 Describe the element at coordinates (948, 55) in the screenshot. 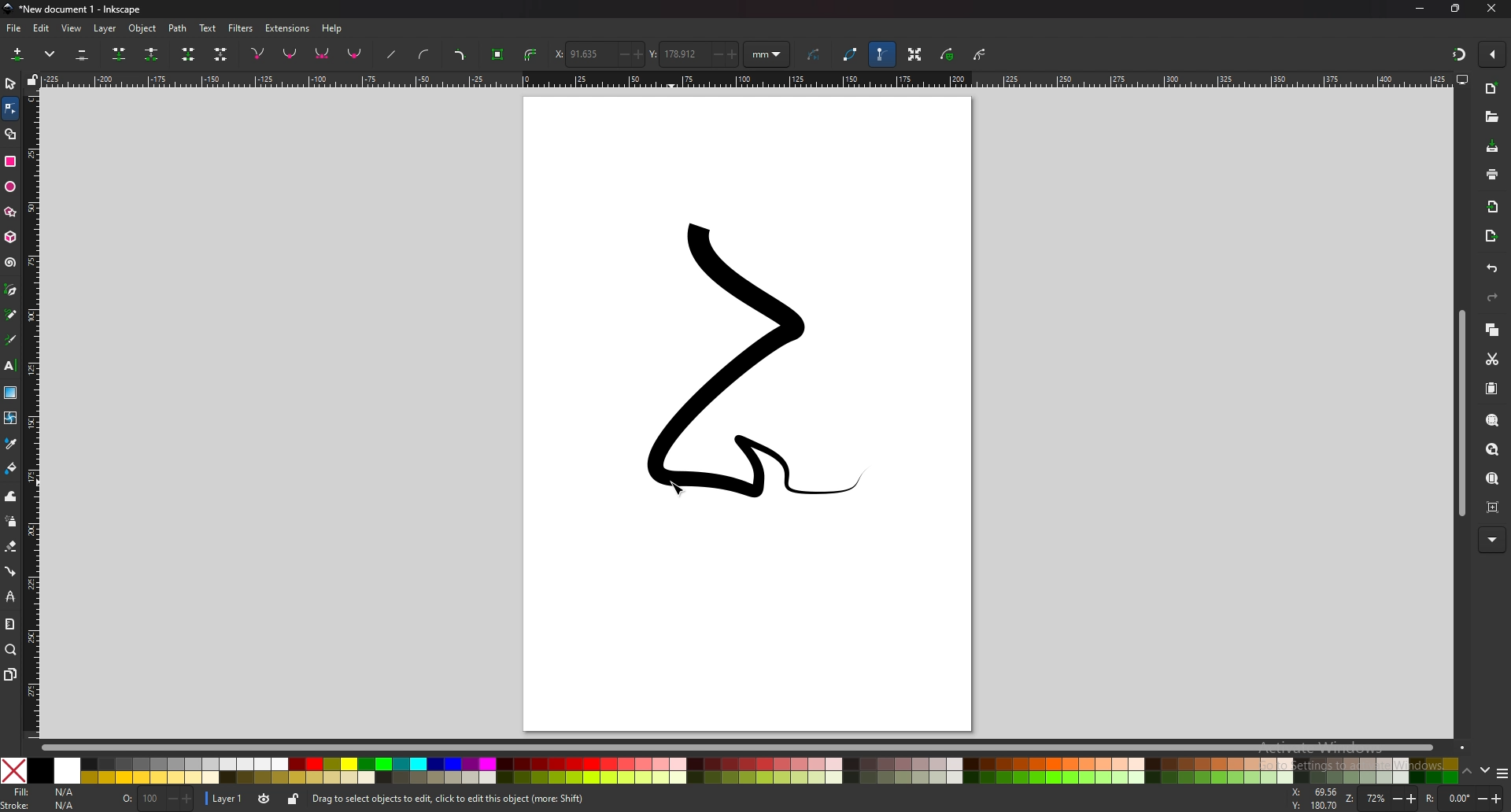

I see `mask` at that location.